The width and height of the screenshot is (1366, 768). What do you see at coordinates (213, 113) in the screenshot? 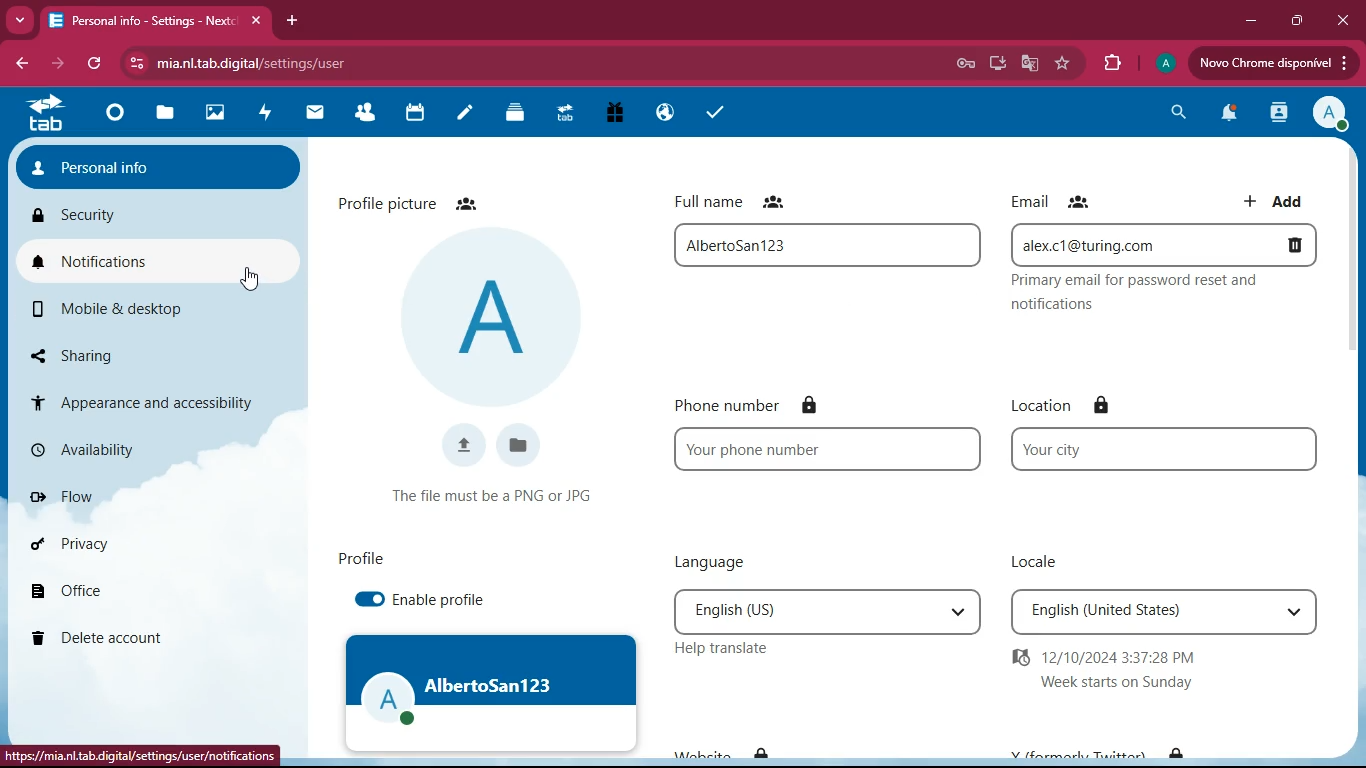
I see `images` at bounding box center [213, 113].